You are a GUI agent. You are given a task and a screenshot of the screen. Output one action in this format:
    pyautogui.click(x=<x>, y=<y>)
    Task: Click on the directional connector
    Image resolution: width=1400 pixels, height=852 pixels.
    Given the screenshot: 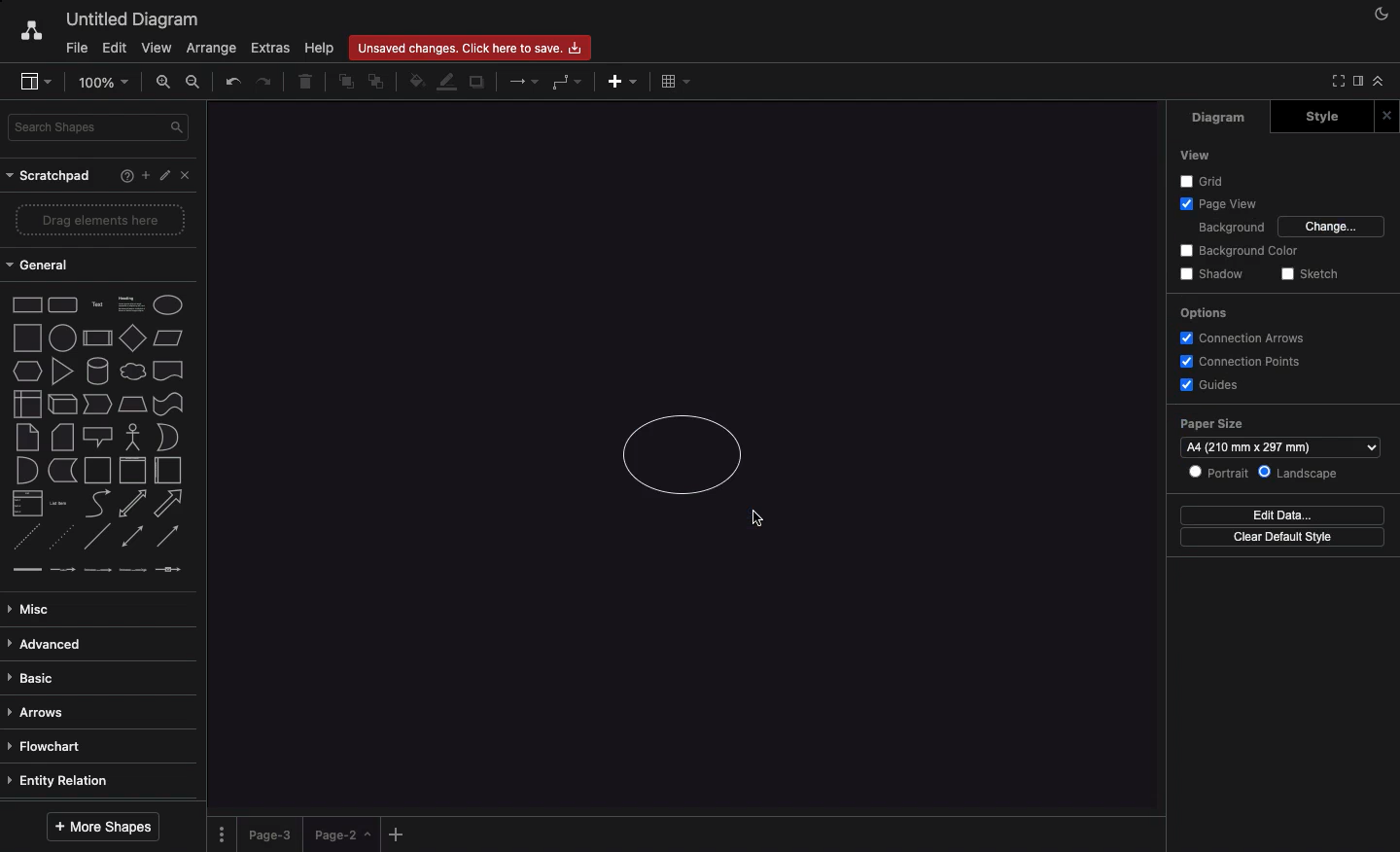 What is the action you would take?
    pyautogui.click(x=168, y=537)
    